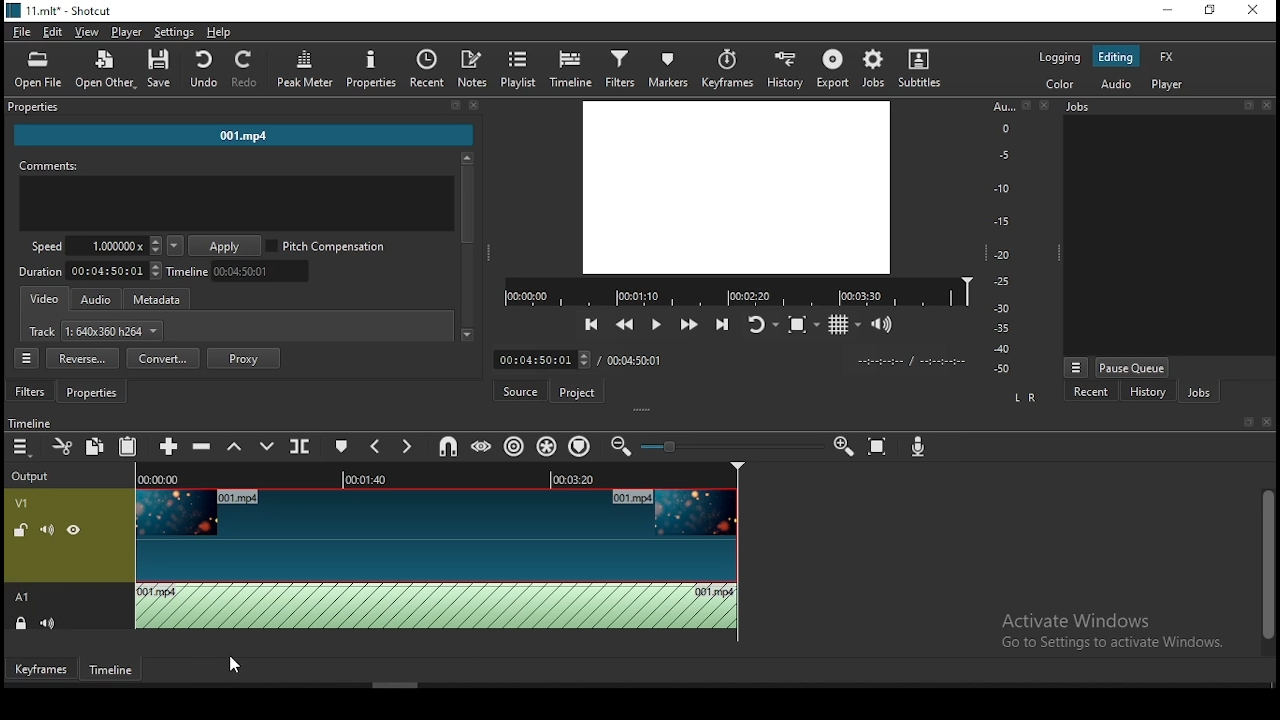 This screenshot has width=1280, height=720. Describe the element at coordinates (1266, 421) in the screenshot. I see `close` at that location.